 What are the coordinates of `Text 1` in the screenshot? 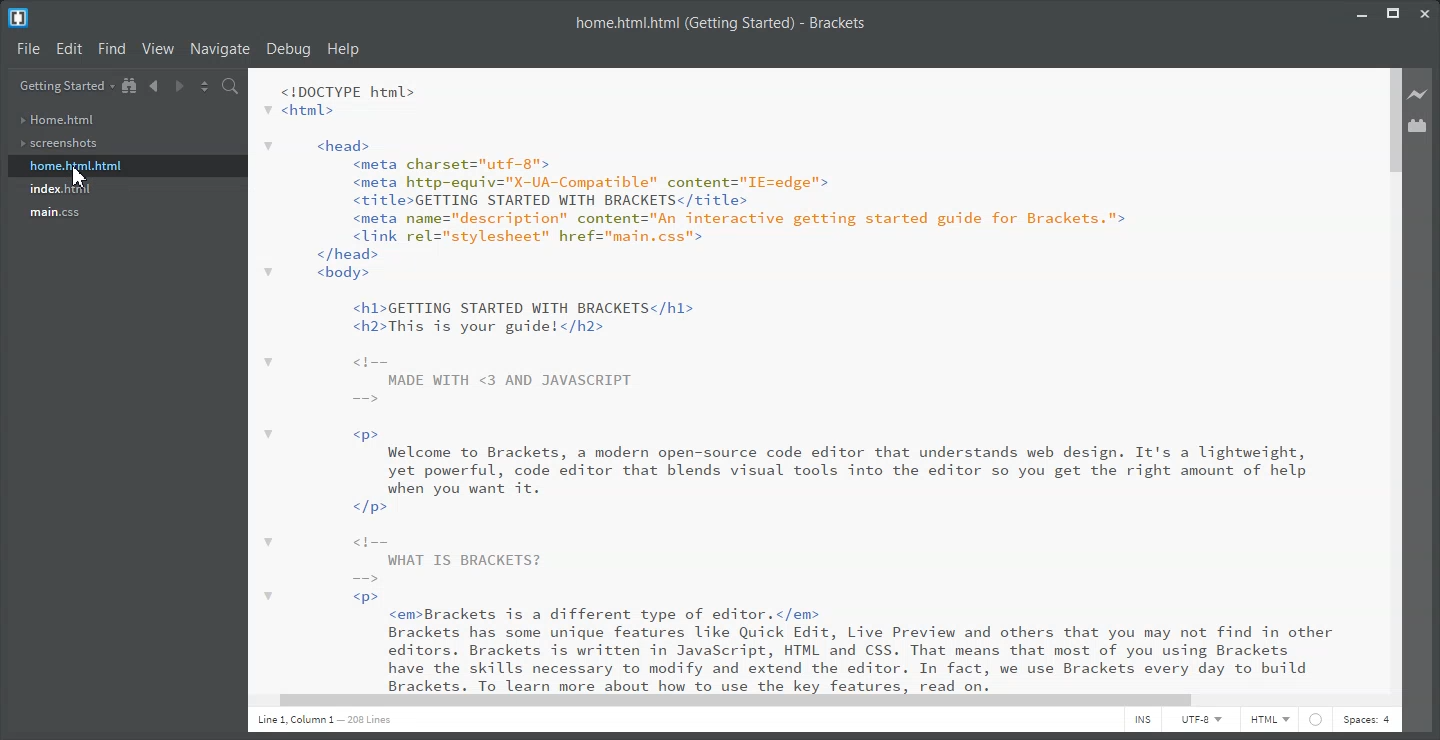 It's located at (722, 23).